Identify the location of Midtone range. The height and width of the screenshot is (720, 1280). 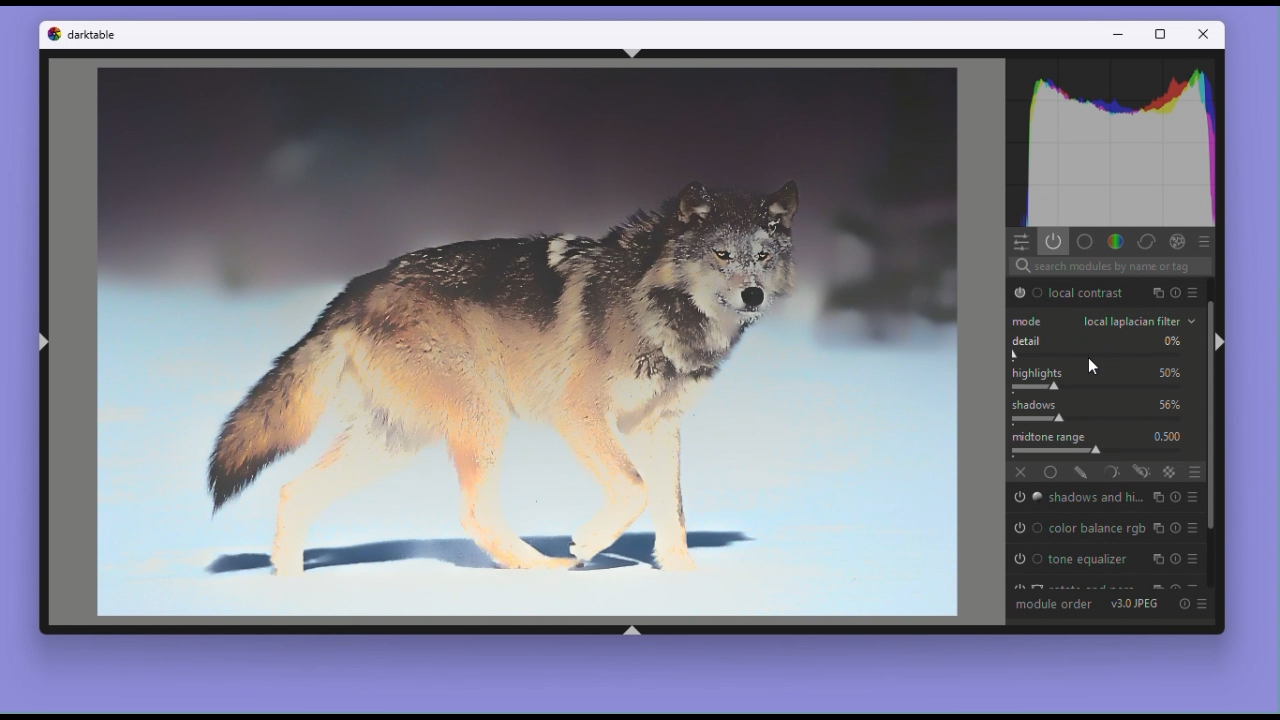
(1107, 443).